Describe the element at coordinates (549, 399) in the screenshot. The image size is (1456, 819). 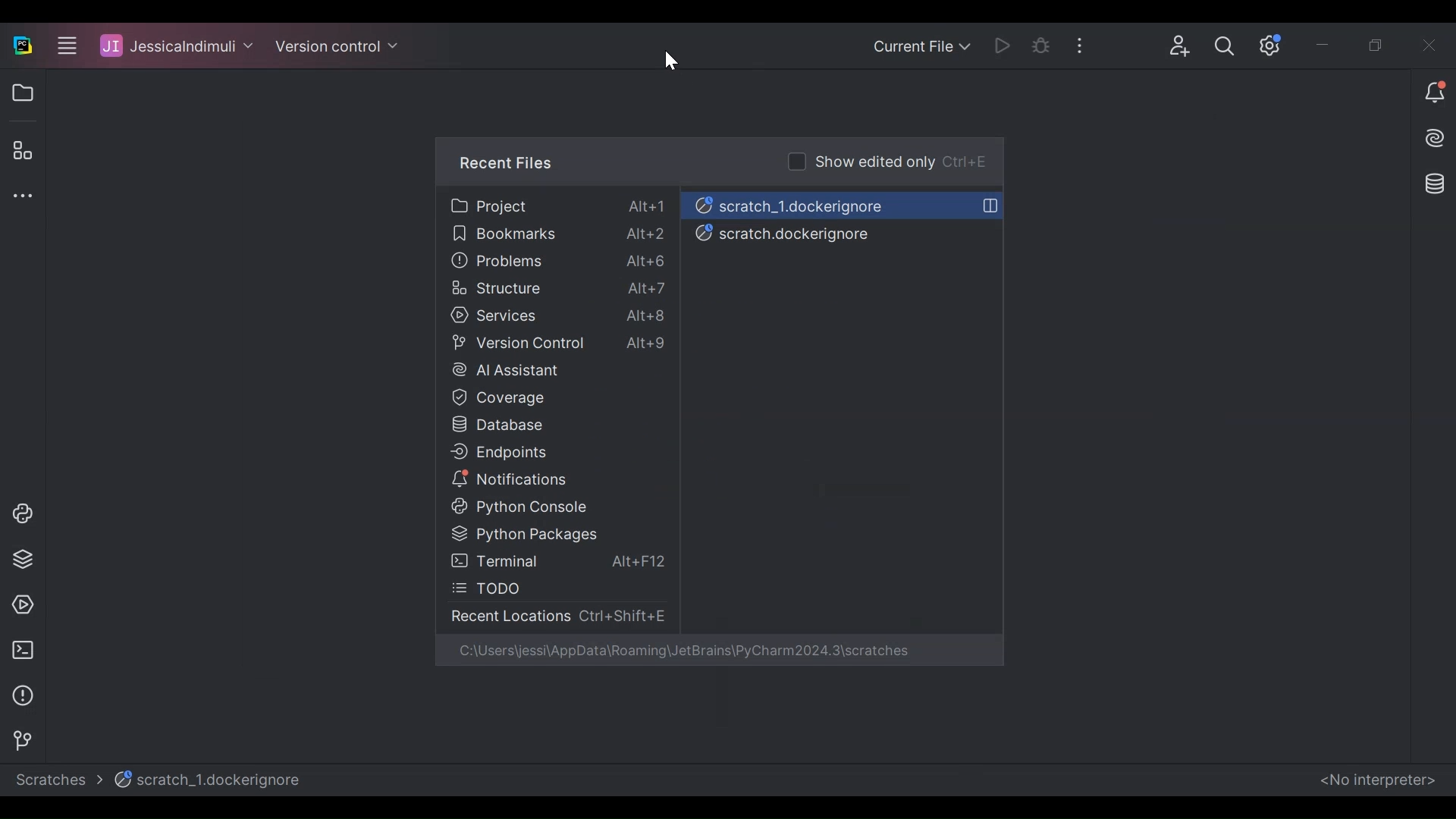
I see `Coverage` at that location.